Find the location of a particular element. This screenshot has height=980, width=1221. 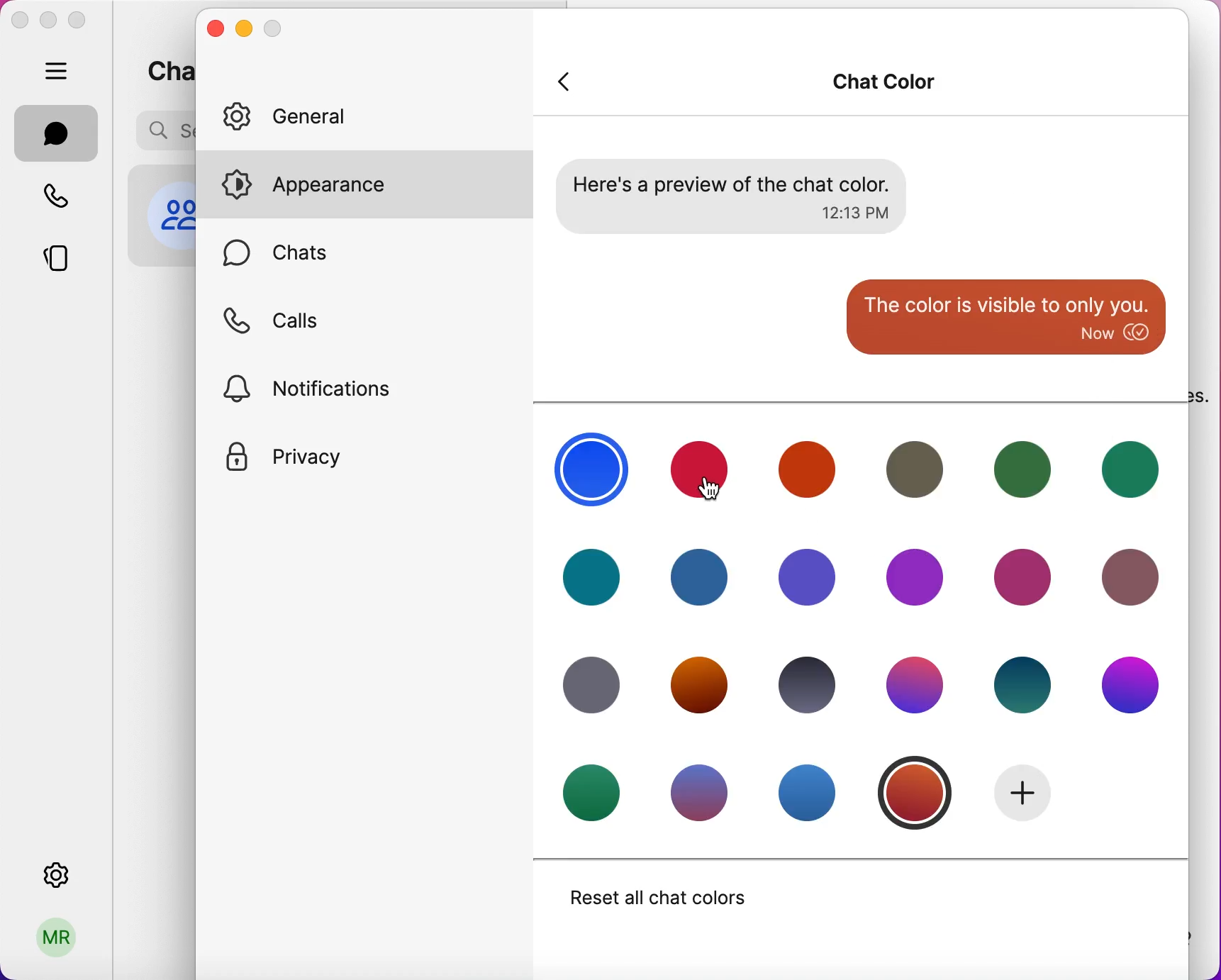

chat colors is located at coordinates (753, 788).